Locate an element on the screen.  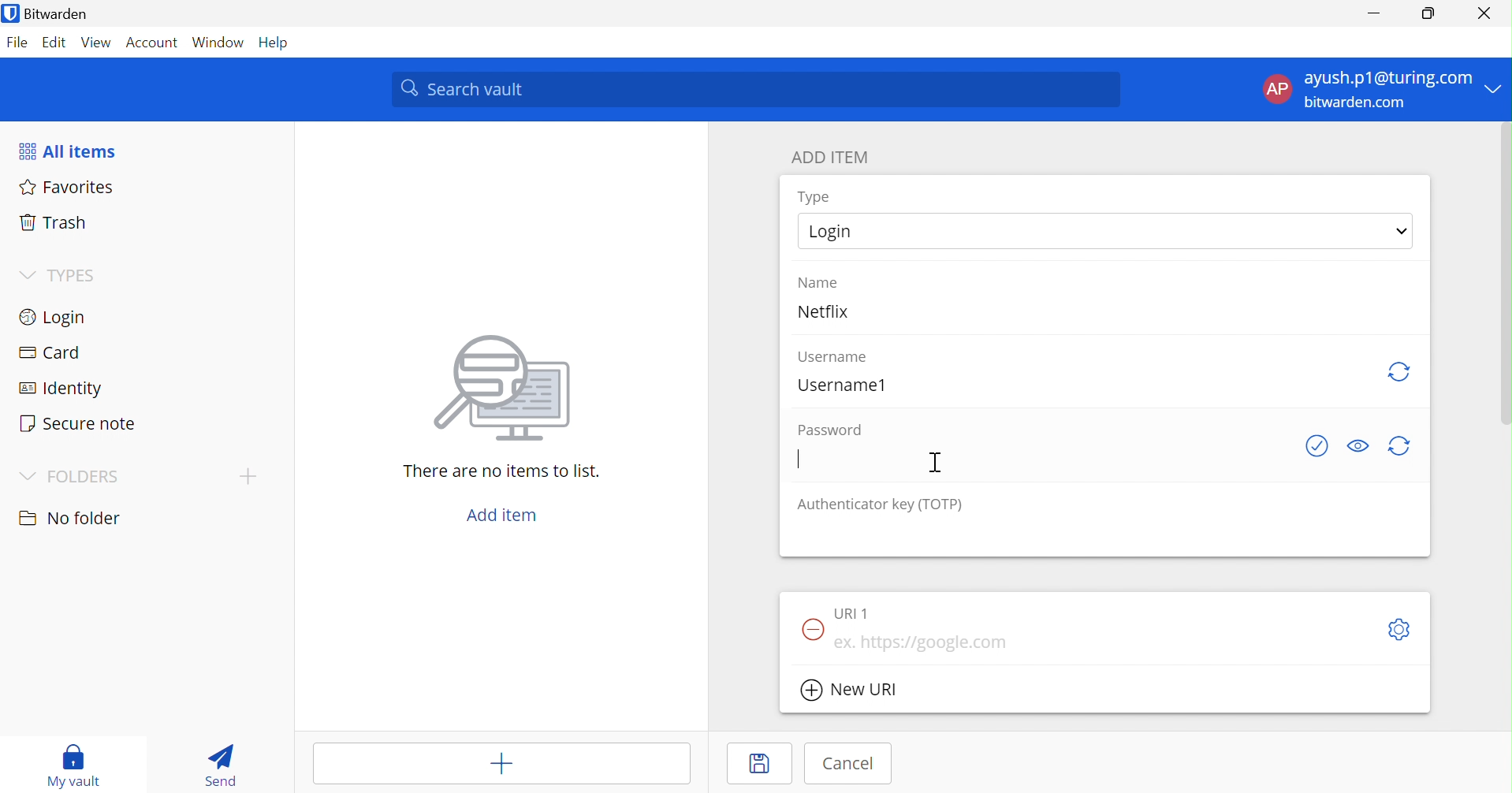
Netflix is located at coordinates (822, 311).